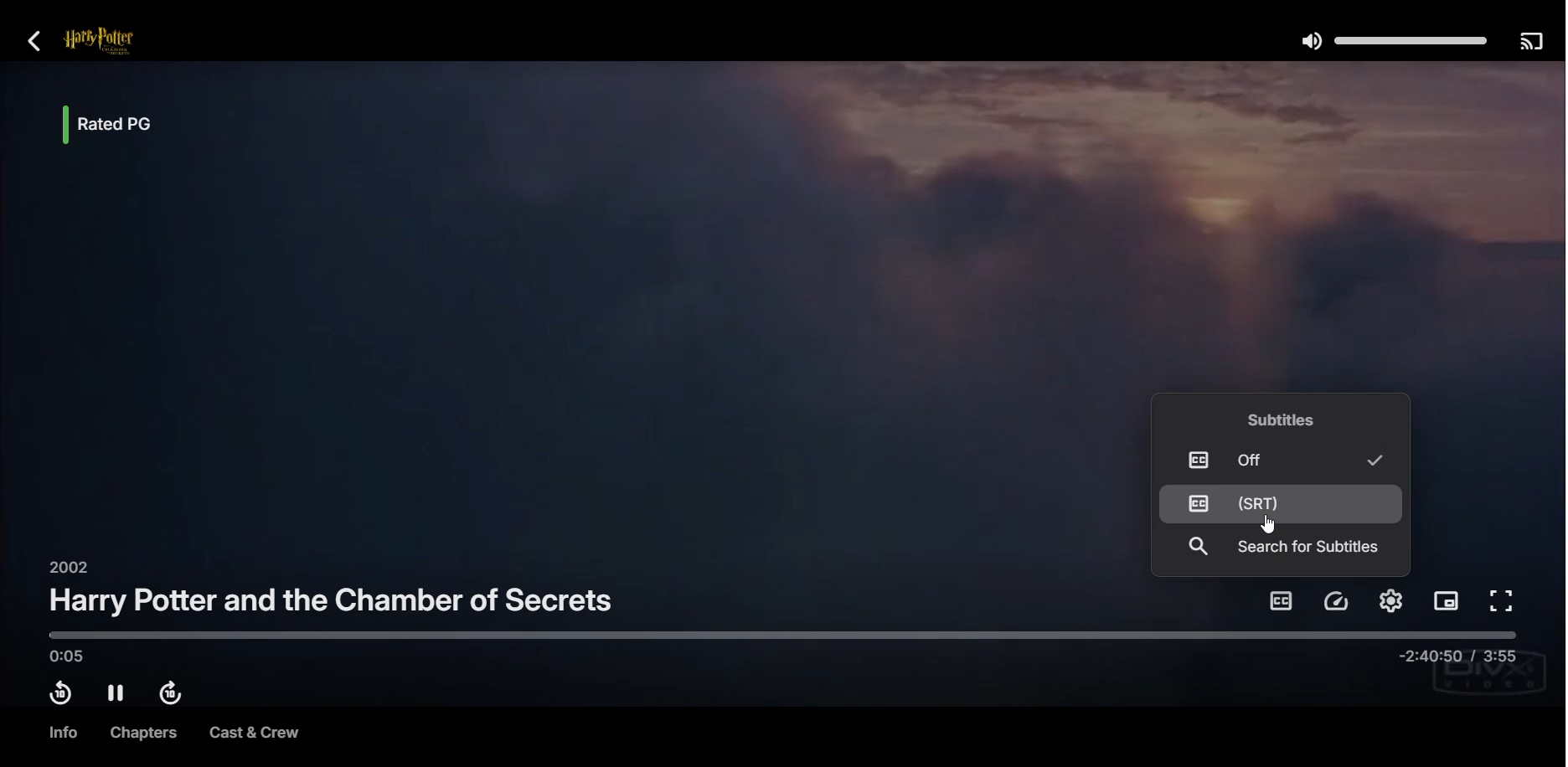  What do you see at coordinates (1281, 503) in the screenshot?
I see `SRT` at bounding box center [1281, 503].